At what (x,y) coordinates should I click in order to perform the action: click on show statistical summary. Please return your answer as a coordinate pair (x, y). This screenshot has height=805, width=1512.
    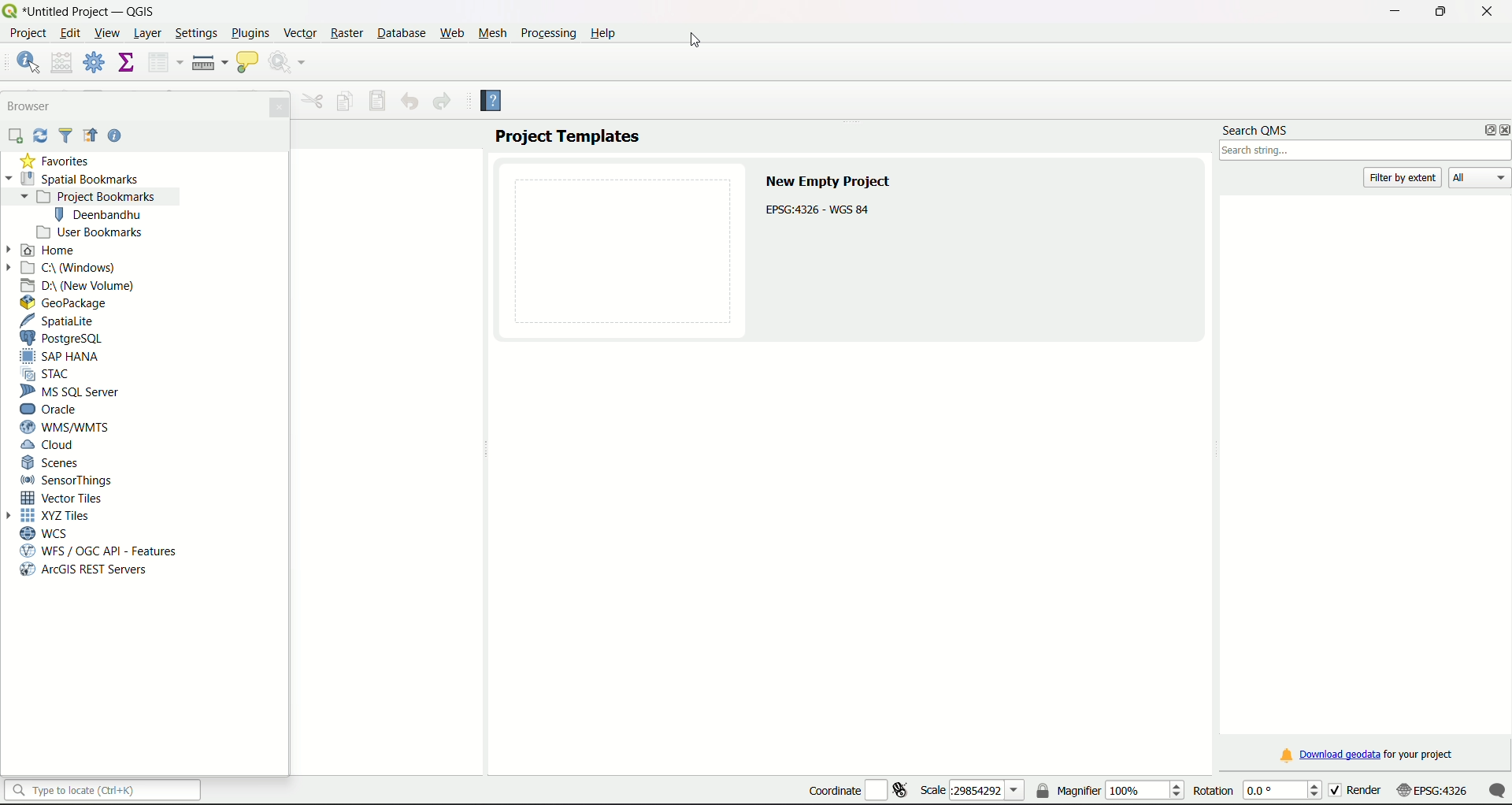
    Looking at the image, I should click on (124, 63).